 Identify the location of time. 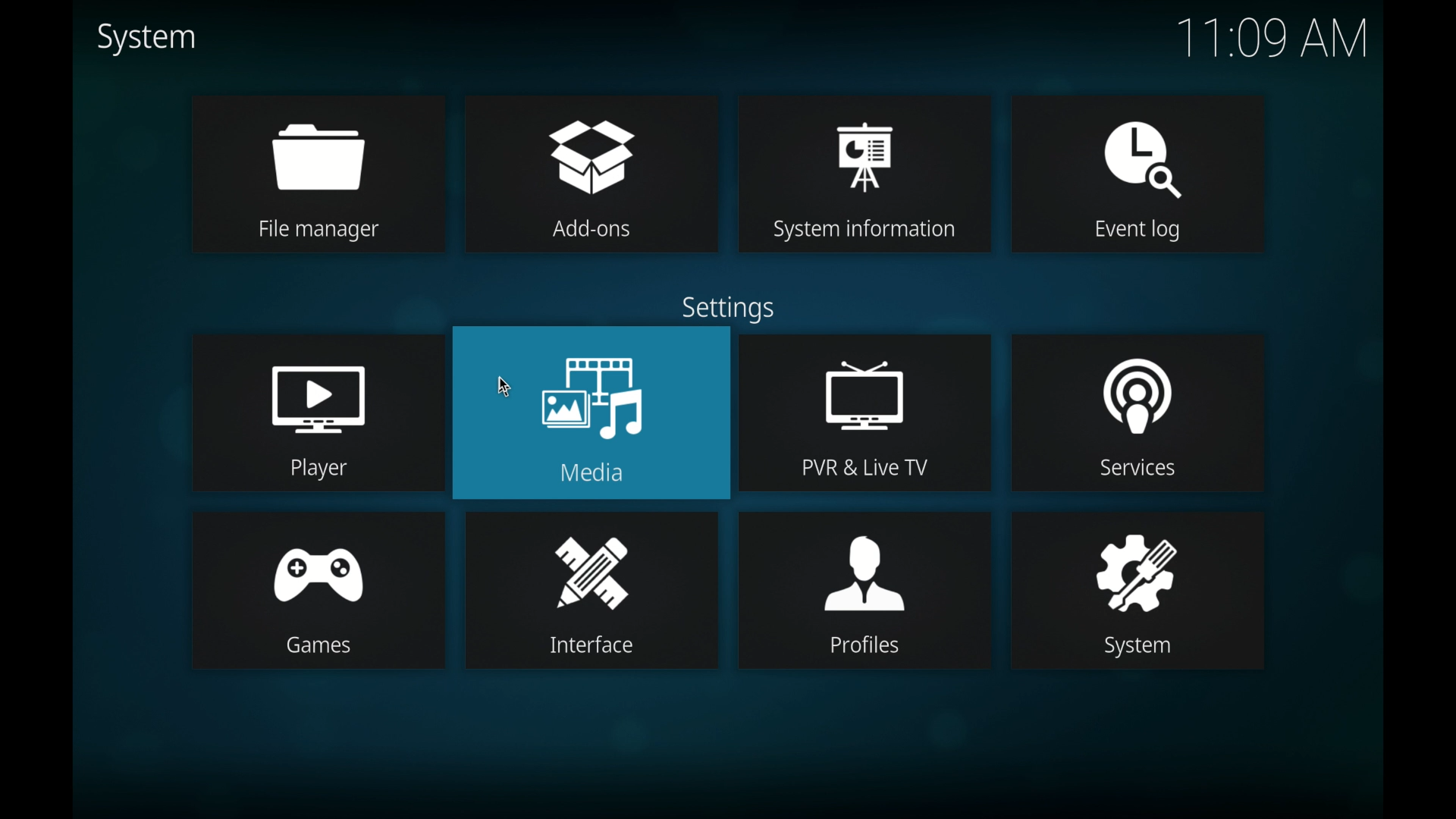
(1271, 39).